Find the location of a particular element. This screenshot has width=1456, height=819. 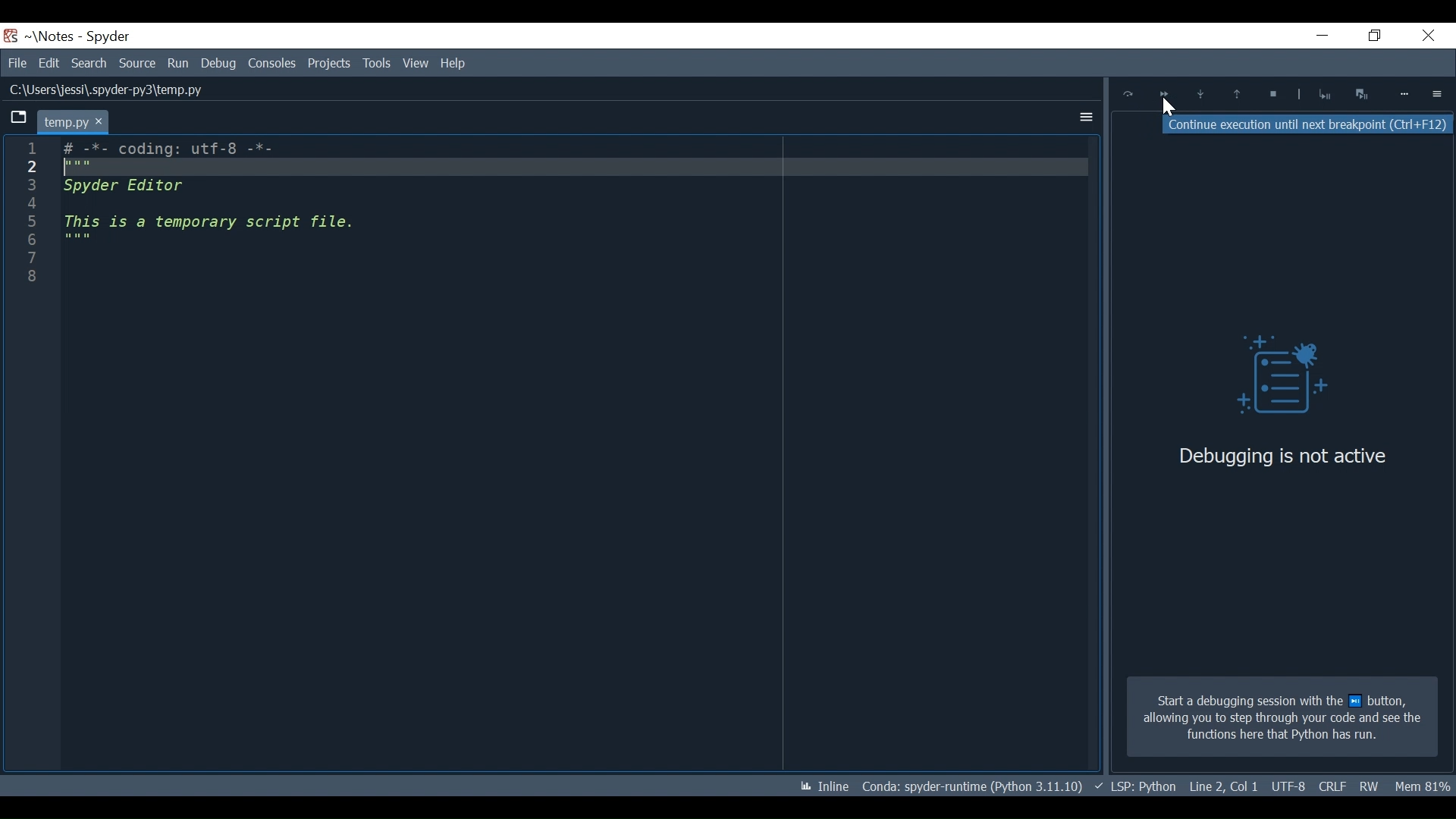

Browse tab is located at coordinates (18, 119).